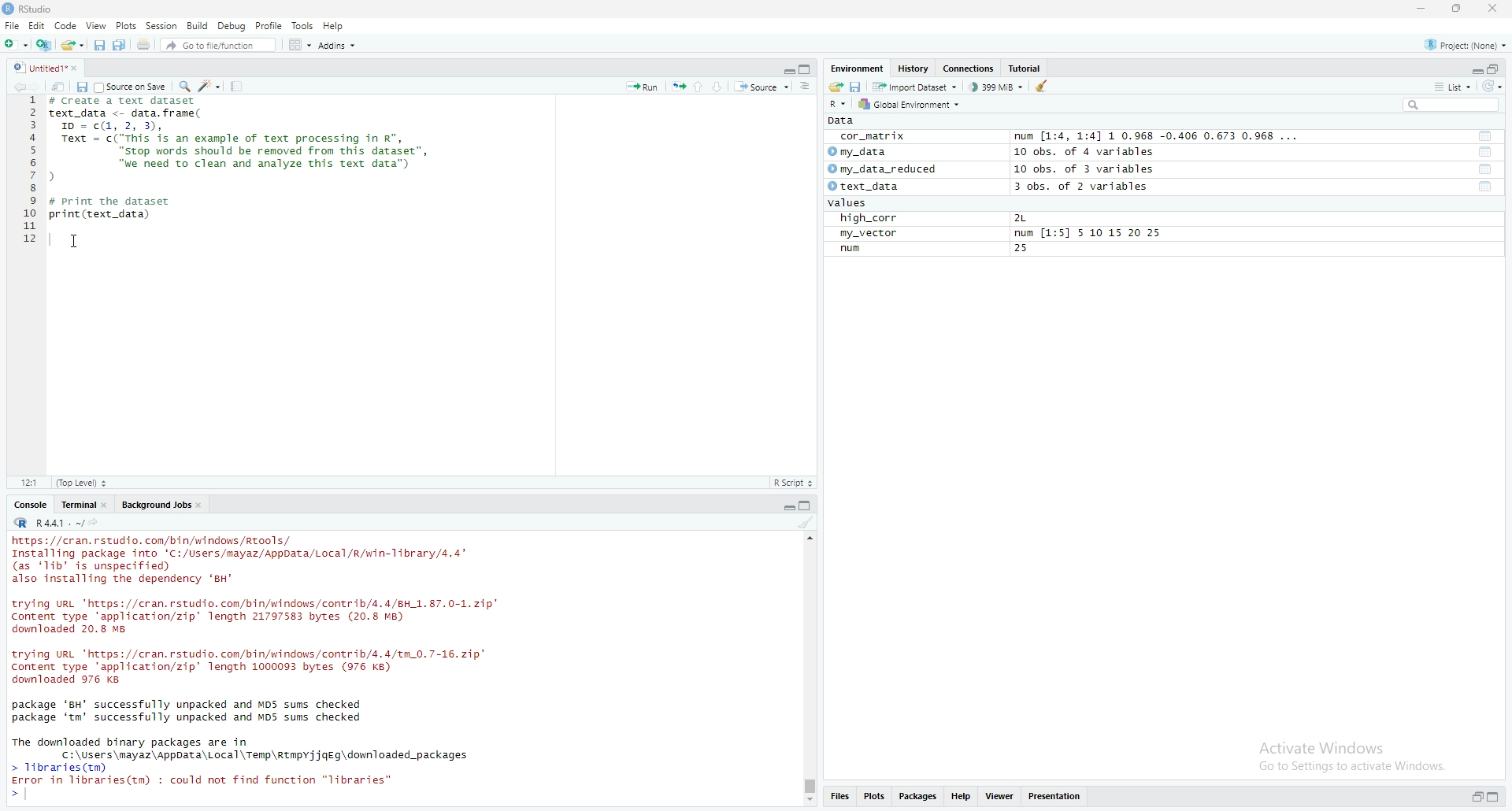 This screenshot has width=1512, height=811. Describe the element at coordinates (73, 46) in the screenshot. I see `open an existing file` at that location.